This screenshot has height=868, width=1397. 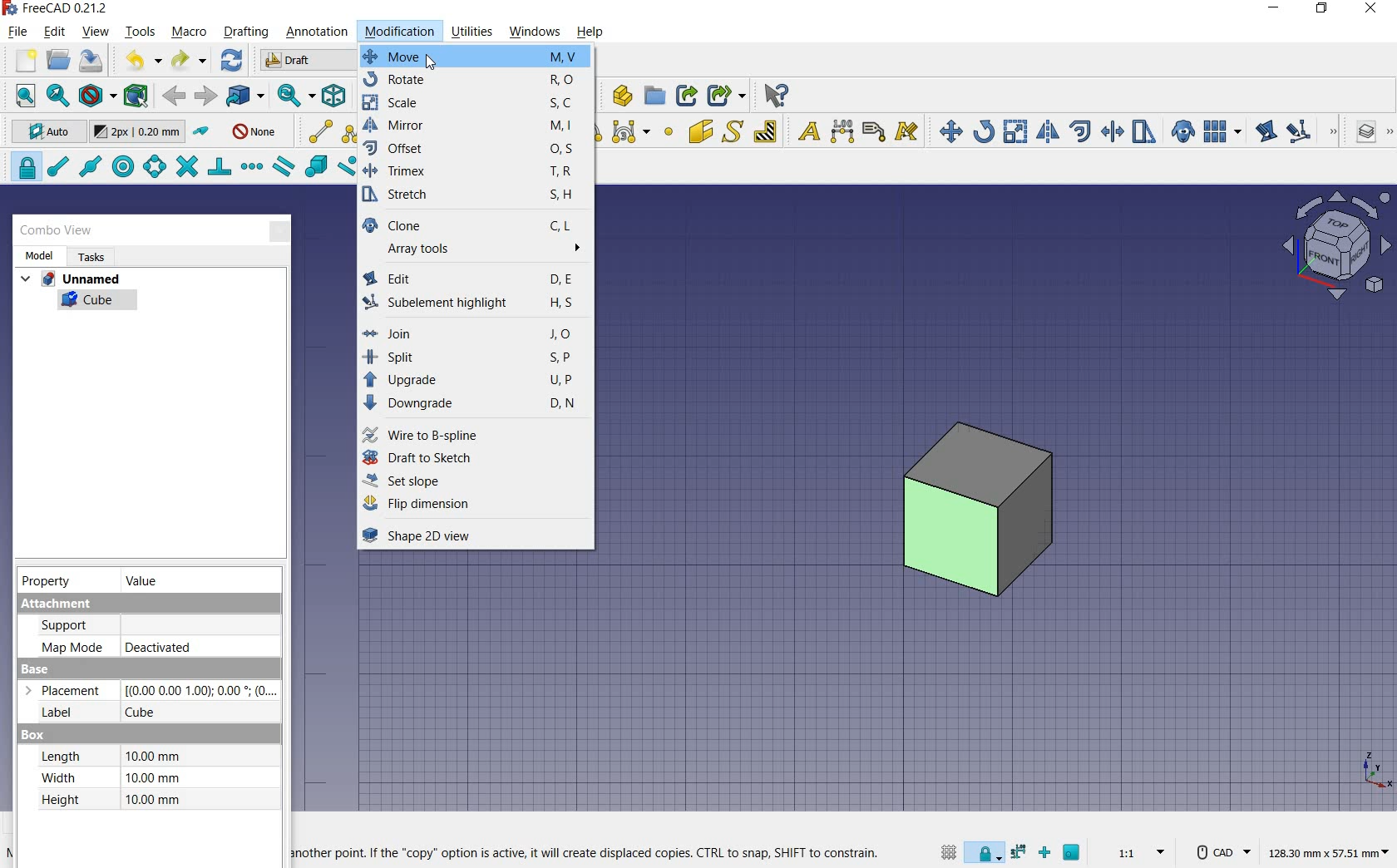 I want to click on windows, so click(x=534, y=32).